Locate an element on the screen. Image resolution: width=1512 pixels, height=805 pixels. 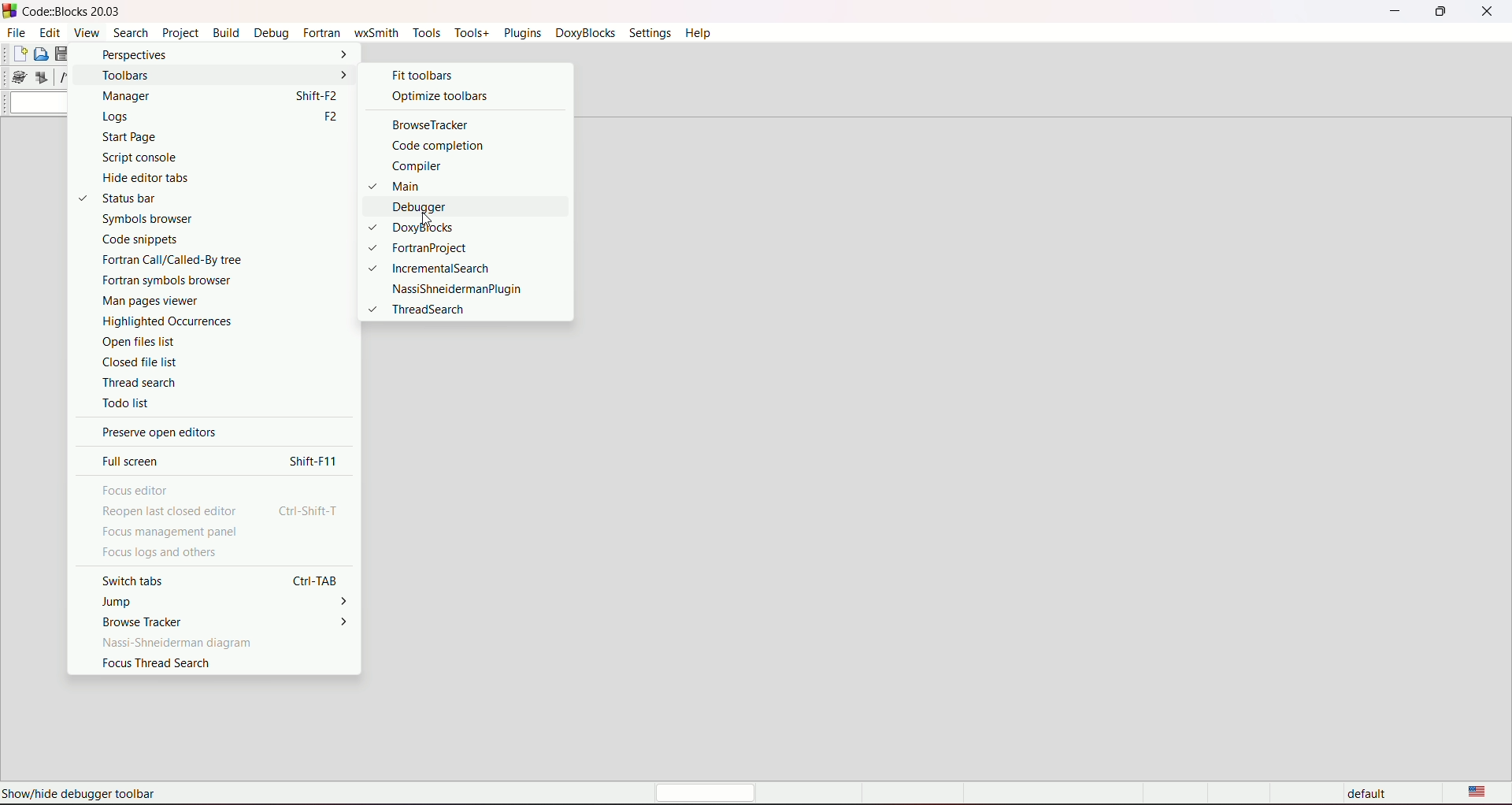
status bar is located at coordinates (183, 198).